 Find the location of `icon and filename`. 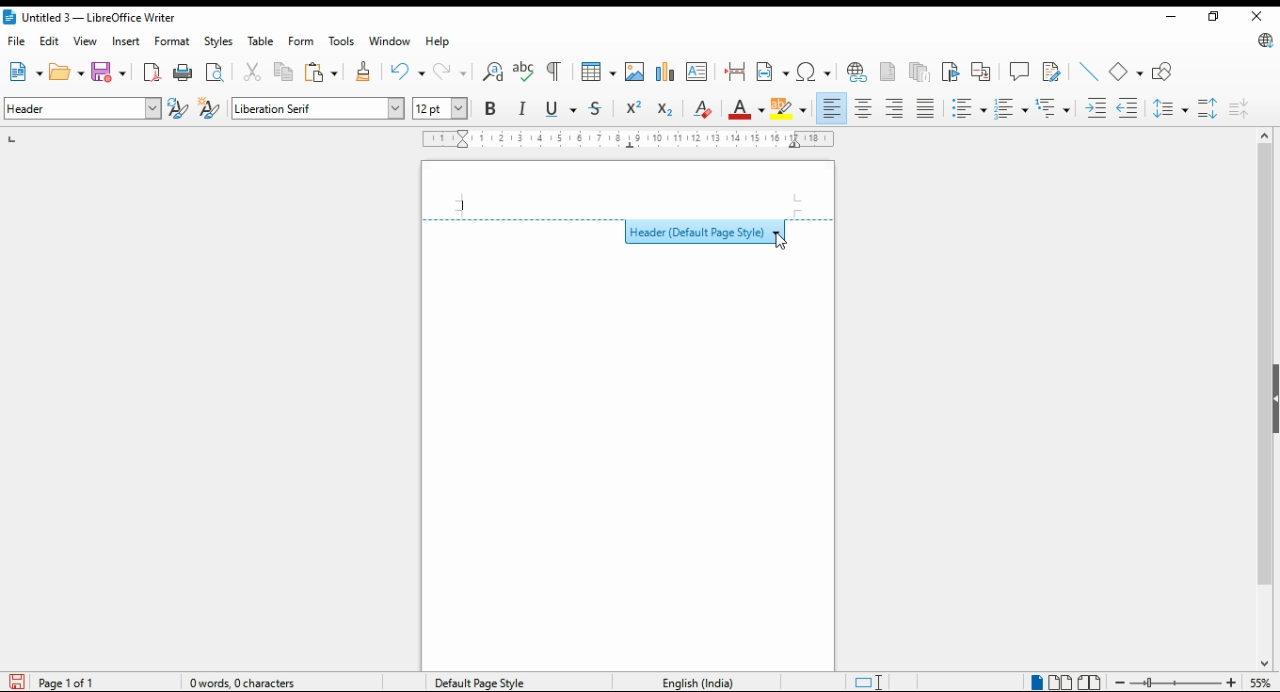

icon and filename is located at coordinates (91, 19).